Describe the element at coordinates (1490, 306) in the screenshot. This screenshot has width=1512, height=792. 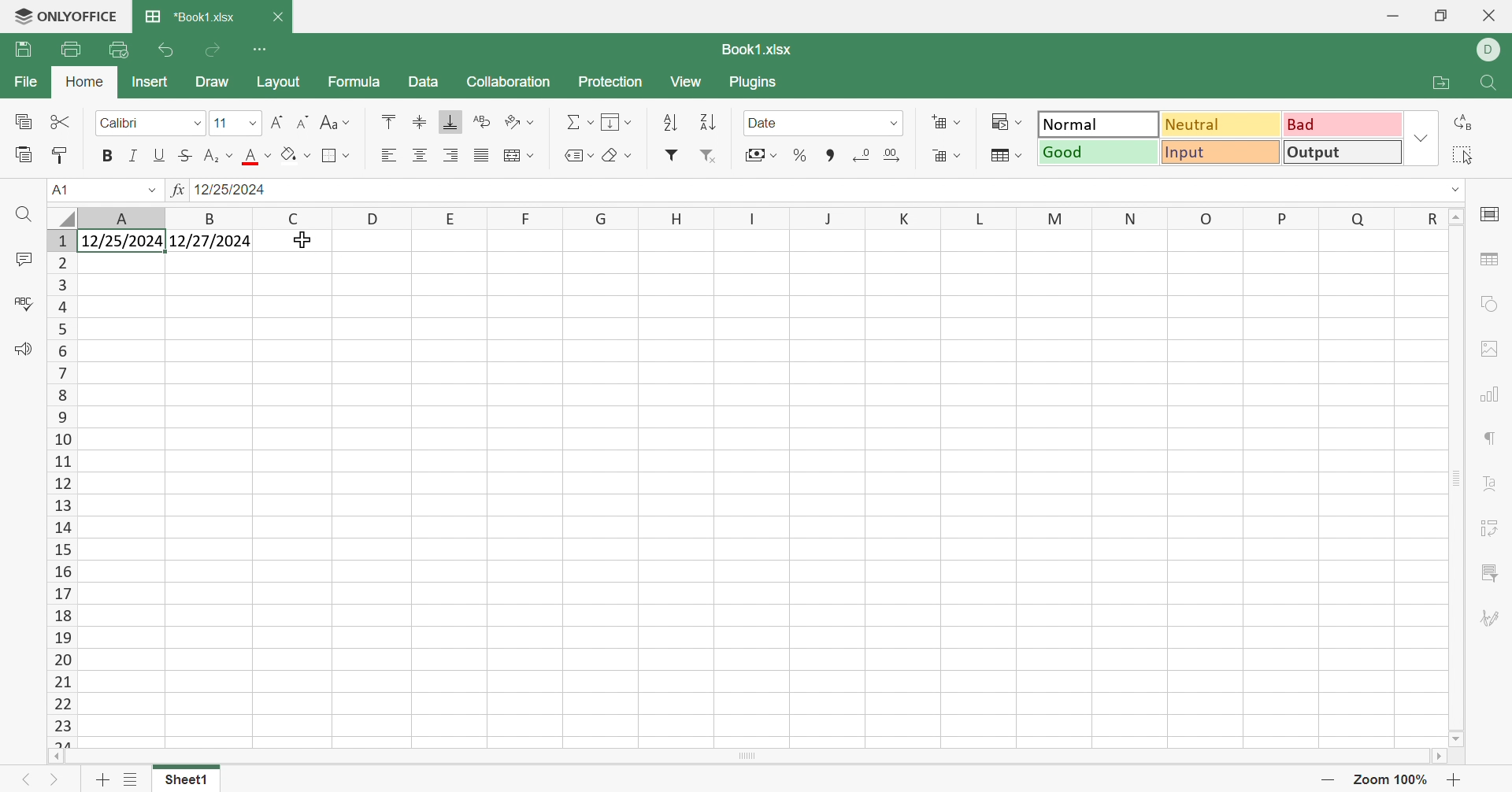
I see `Shape settings` at that location.